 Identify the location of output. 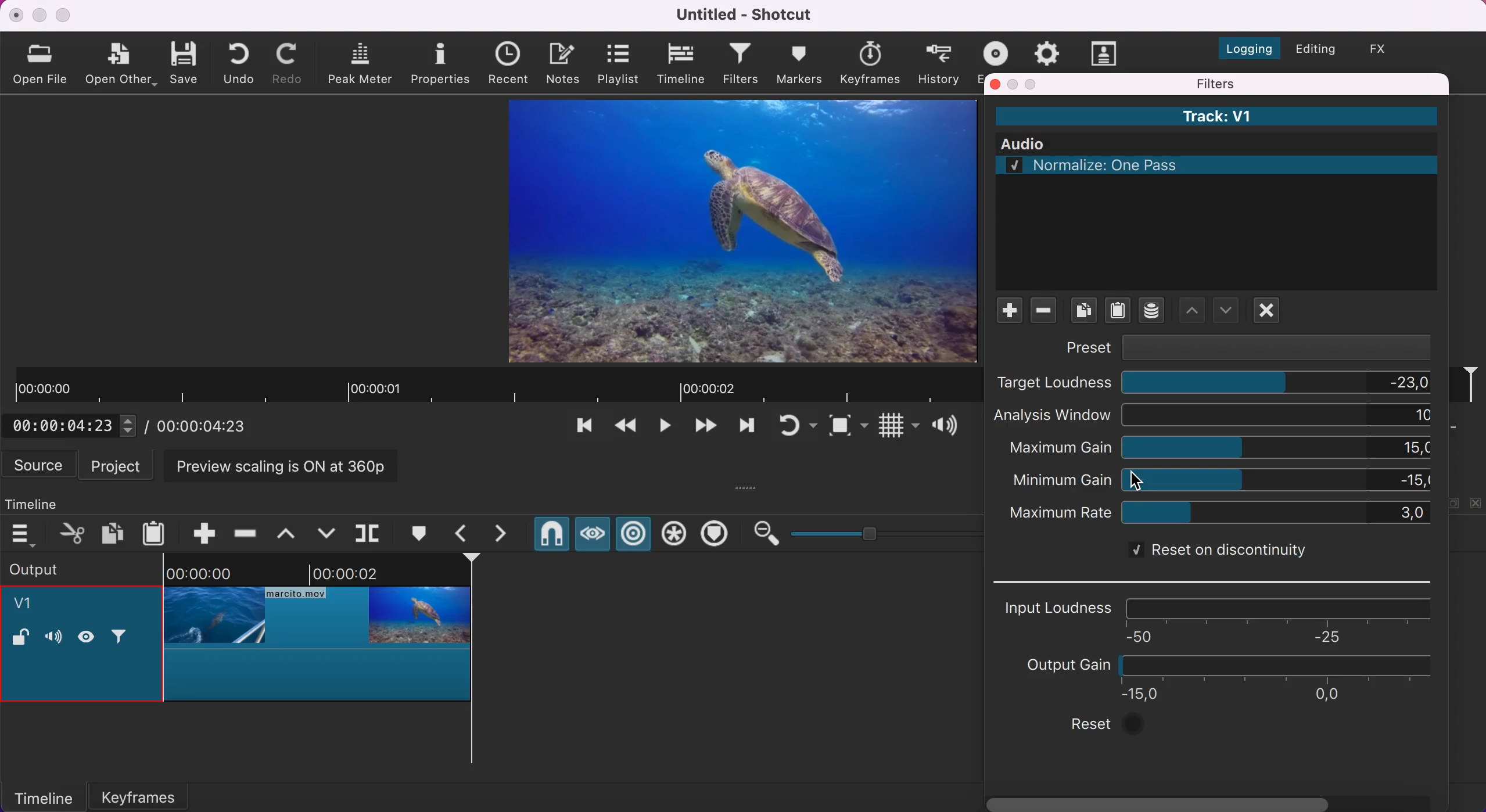
(65, 568).